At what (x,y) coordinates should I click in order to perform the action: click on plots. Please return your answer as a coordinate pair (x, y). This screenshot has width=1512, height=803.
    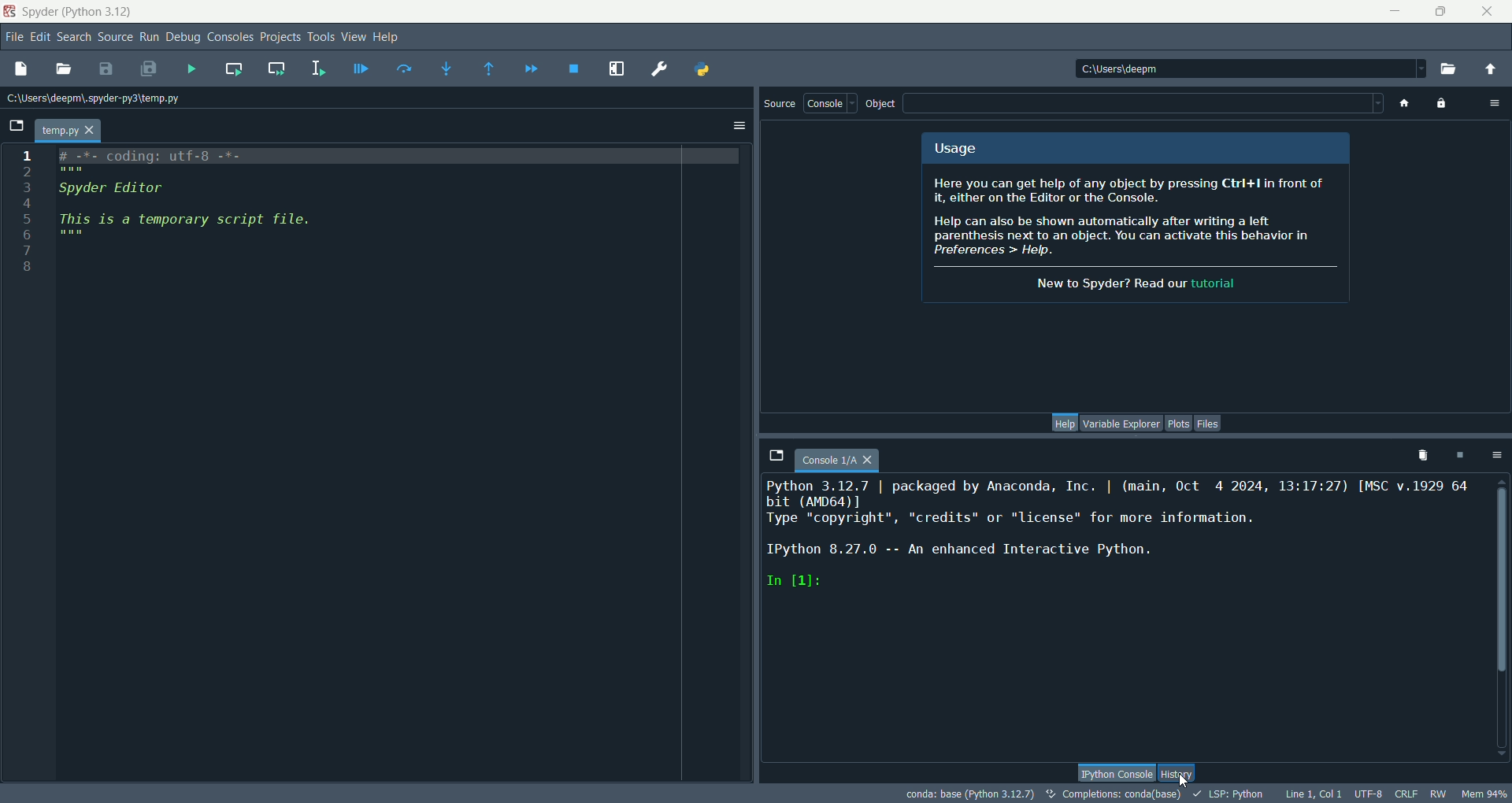
    Looking at the image, I should click on (1178, 424).